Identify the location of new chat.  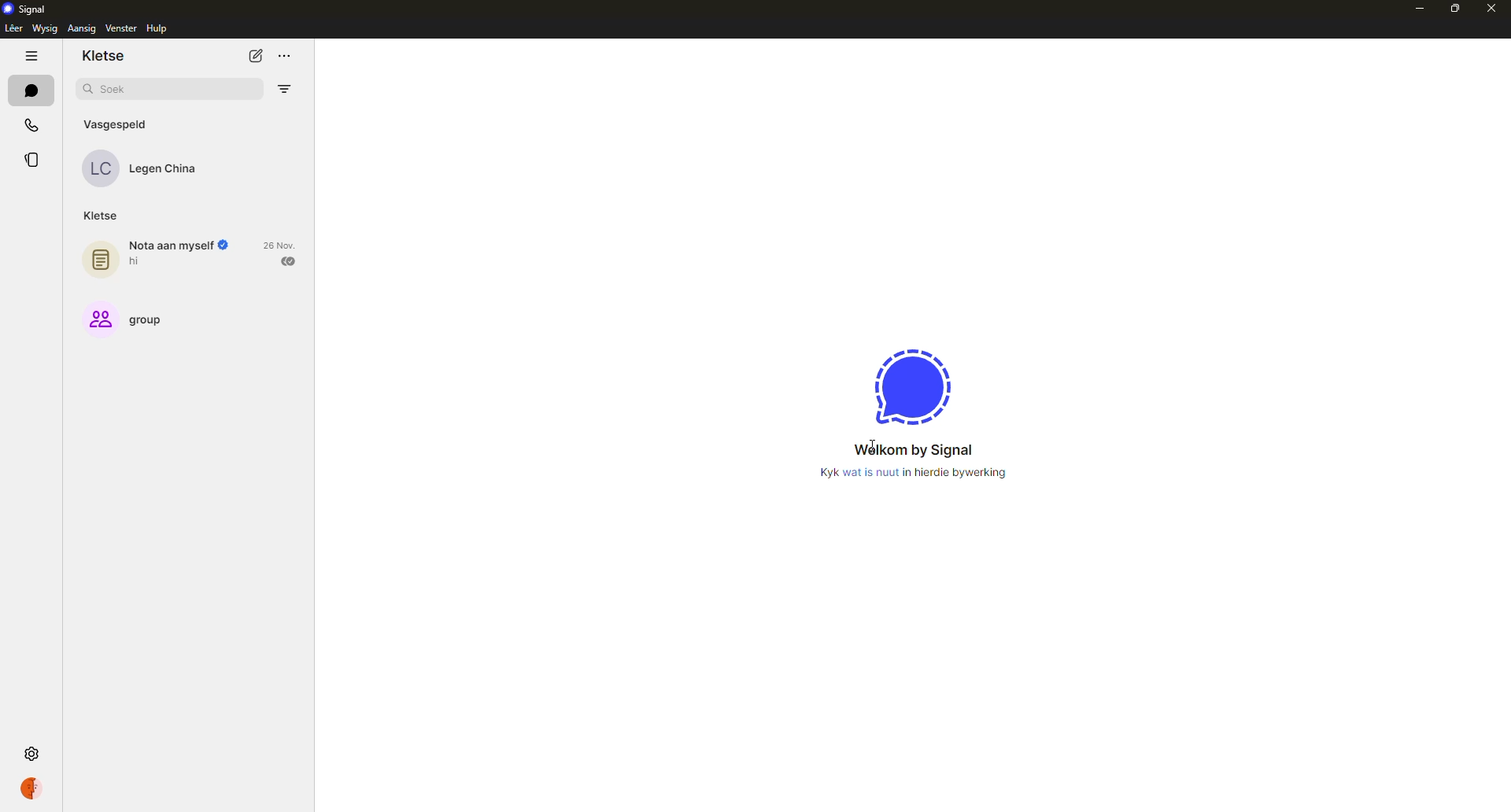
(256, 57).